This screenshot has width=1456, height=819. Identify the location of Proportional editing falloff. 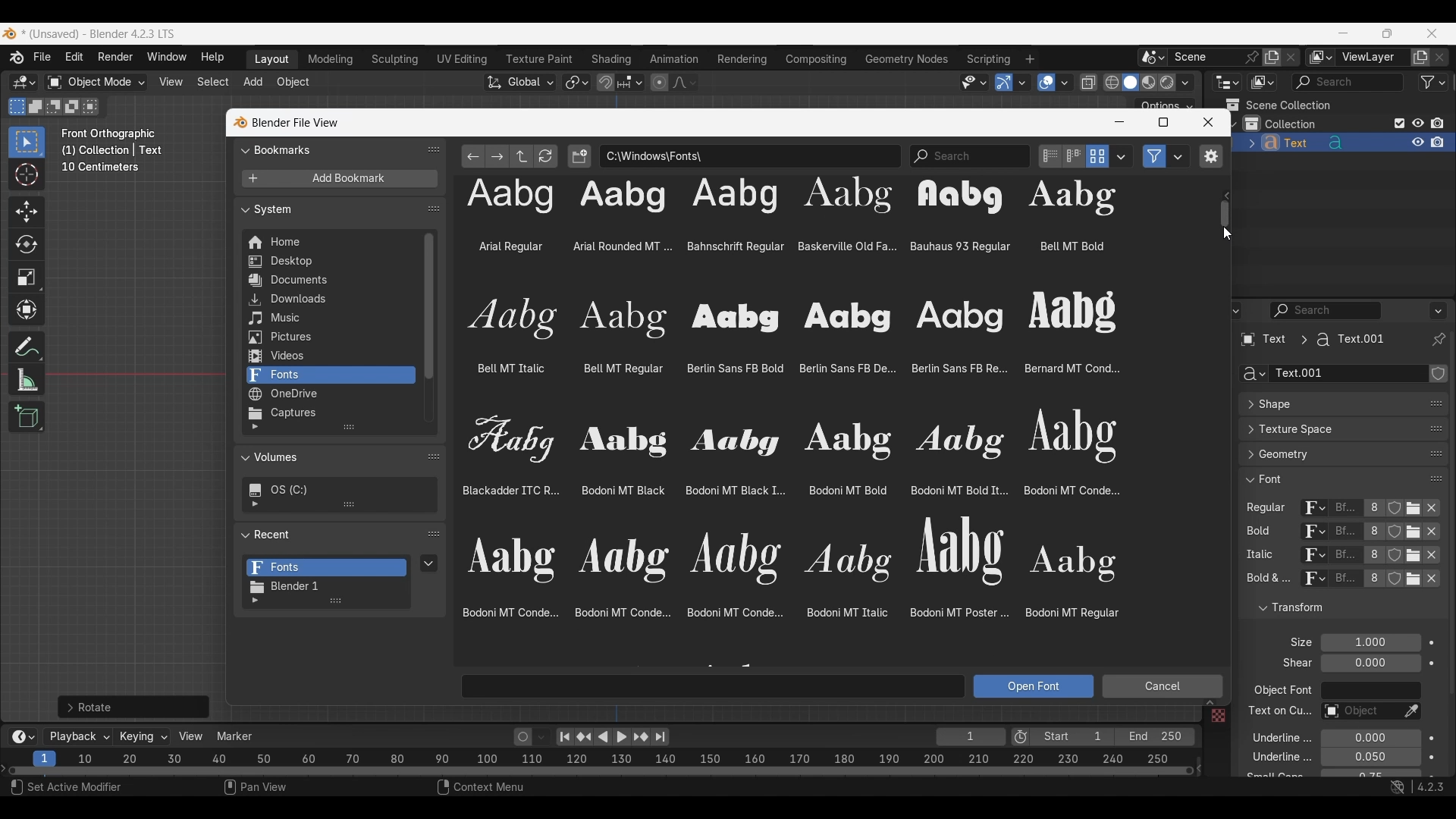
(685, 82).